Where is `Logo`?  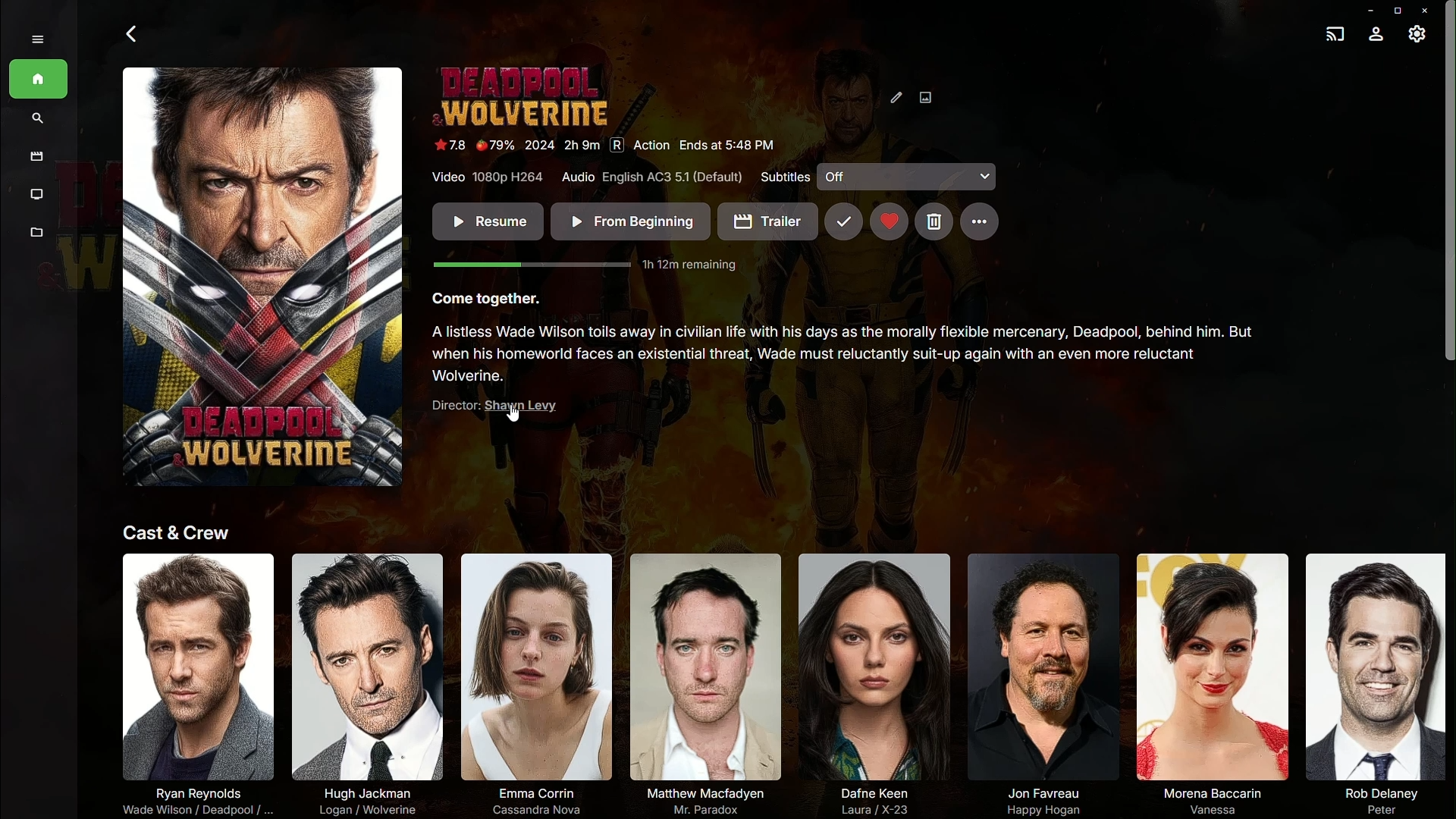 Logo is located at coordinates (522, 95).